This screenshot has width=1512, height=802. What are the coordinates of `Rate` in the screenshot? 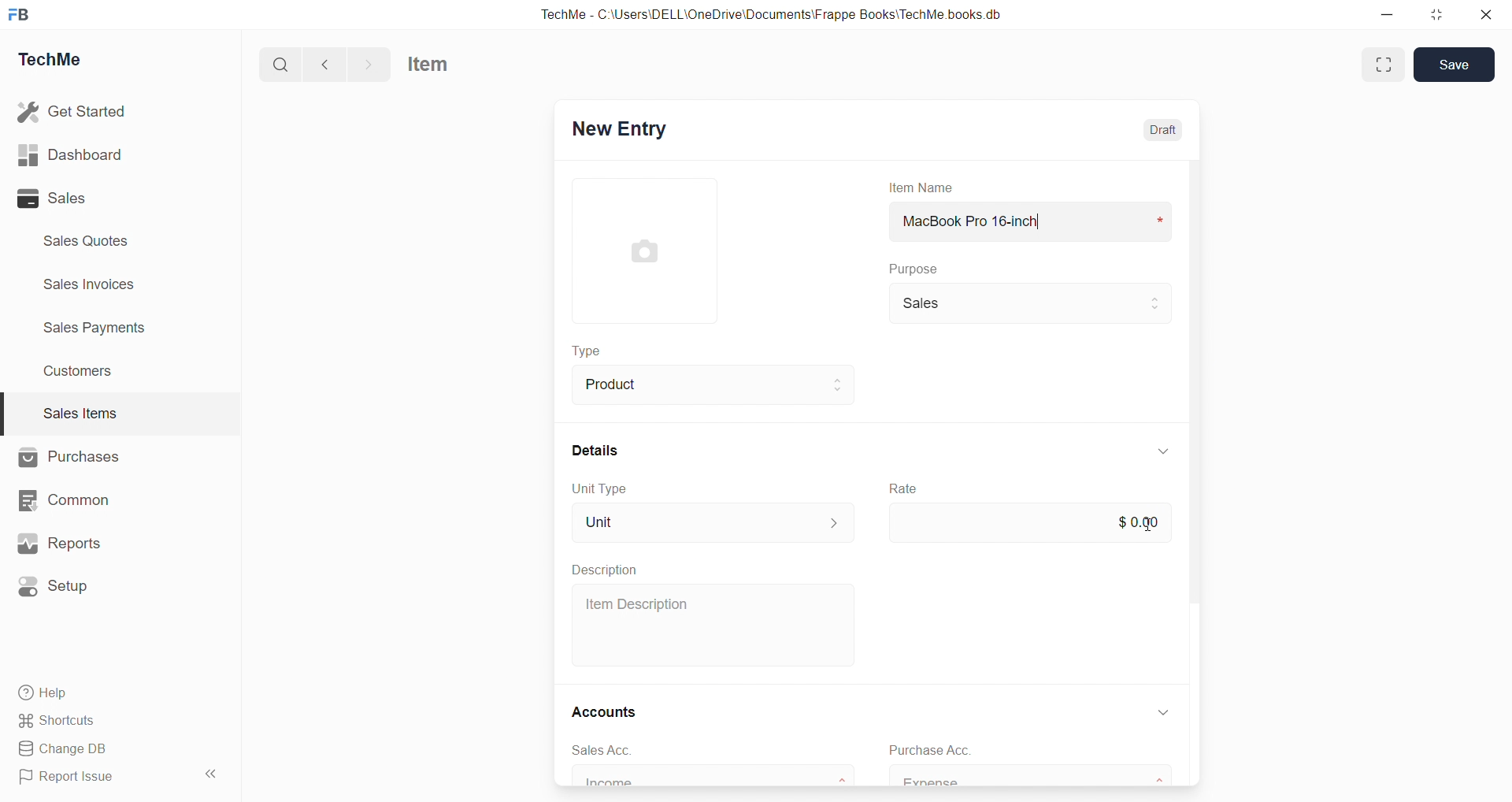 It's located at (902, 488).